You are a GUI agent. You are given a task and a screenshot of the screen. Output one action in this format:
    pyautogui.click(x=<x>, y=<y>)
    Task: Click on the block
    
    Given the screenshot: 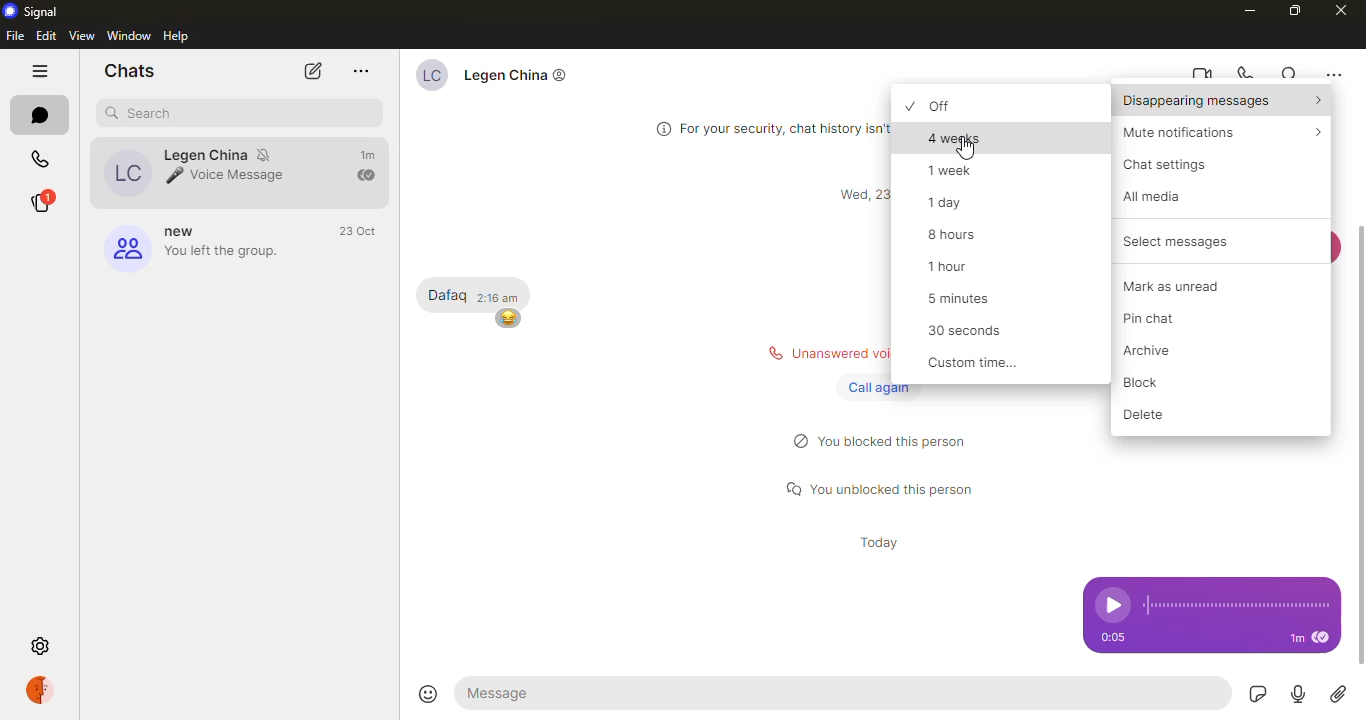 What is the action you would take?
    pyautogui.click(x=1154, y=383)
    